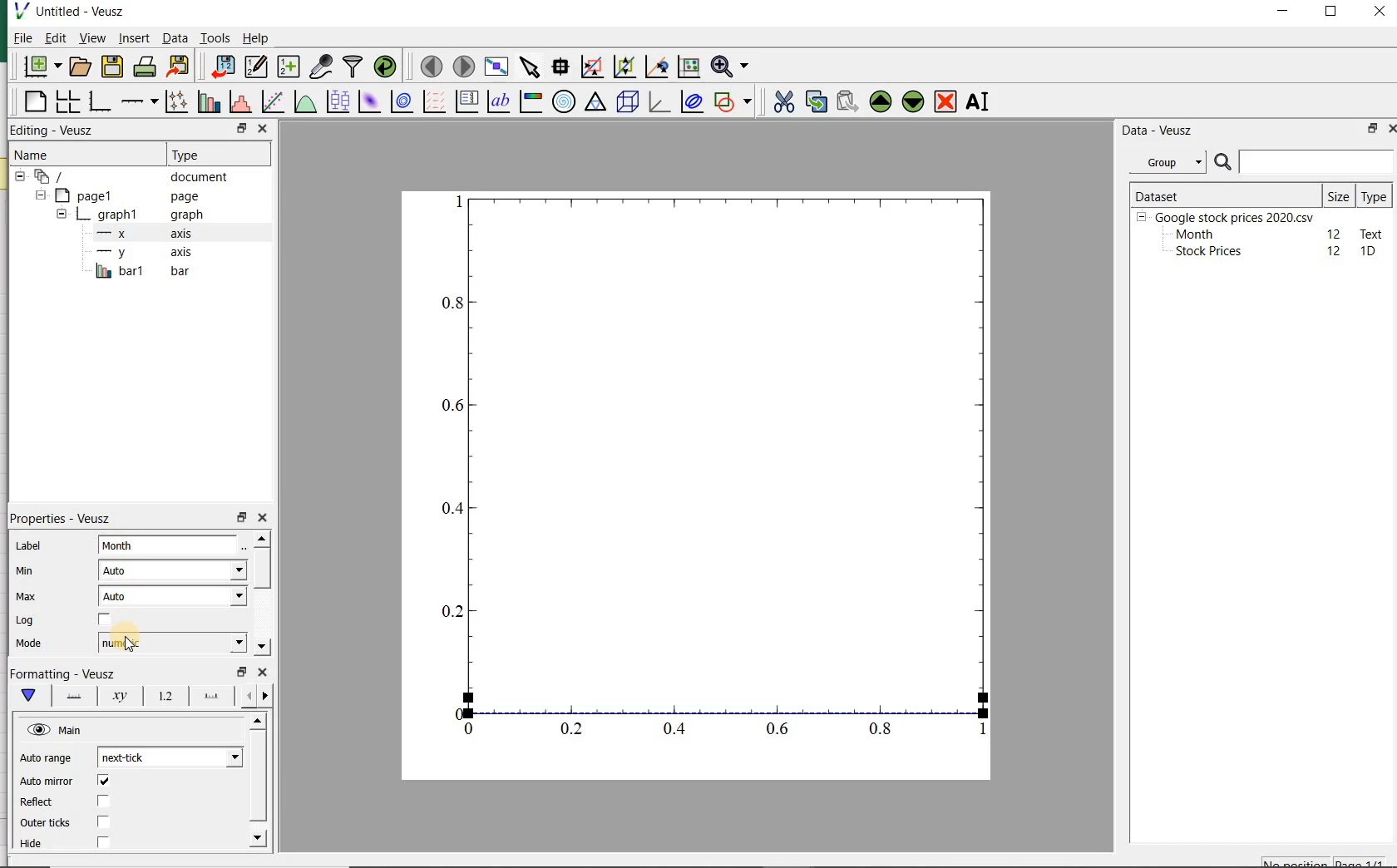 Image resolution: width=1397 pixels, height=868 pixels. I want to click on Formatting - Veusz, so click(67, 673).